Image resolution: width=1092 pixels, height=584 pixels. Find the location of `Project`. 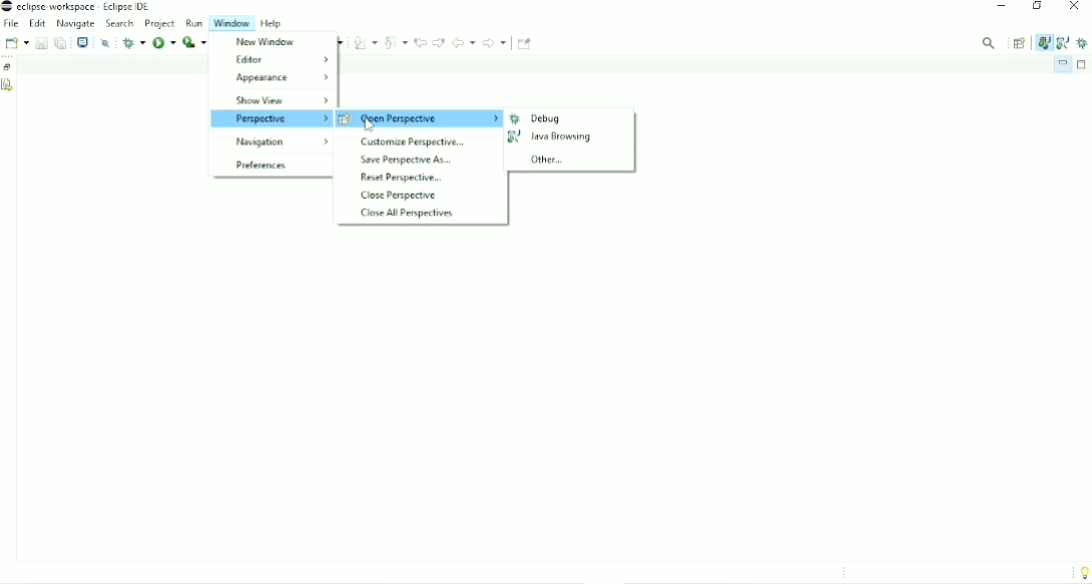

Project is located at coordinates (160, 23).